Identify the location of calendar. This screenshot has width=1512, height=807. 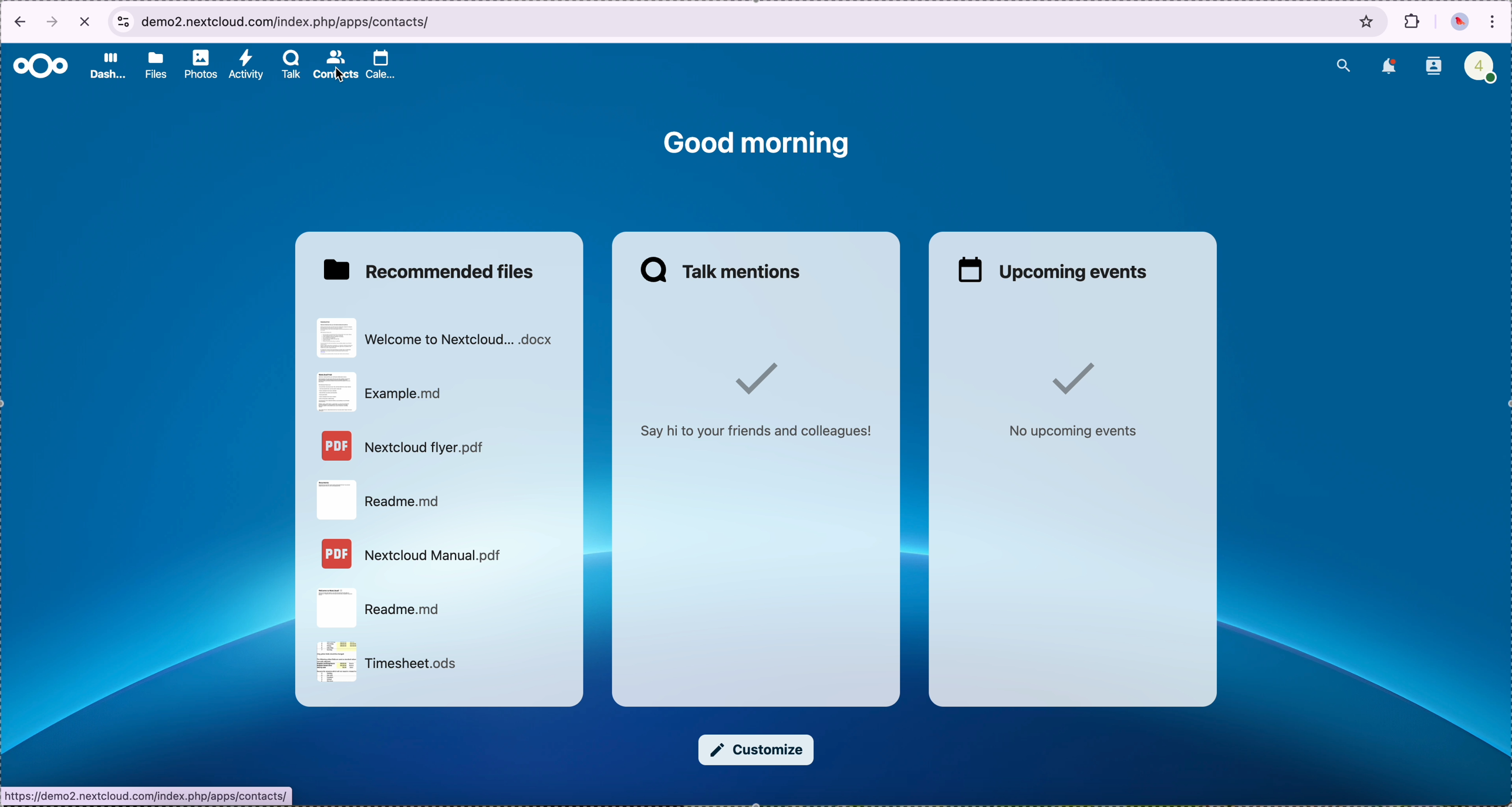
(386, 65).